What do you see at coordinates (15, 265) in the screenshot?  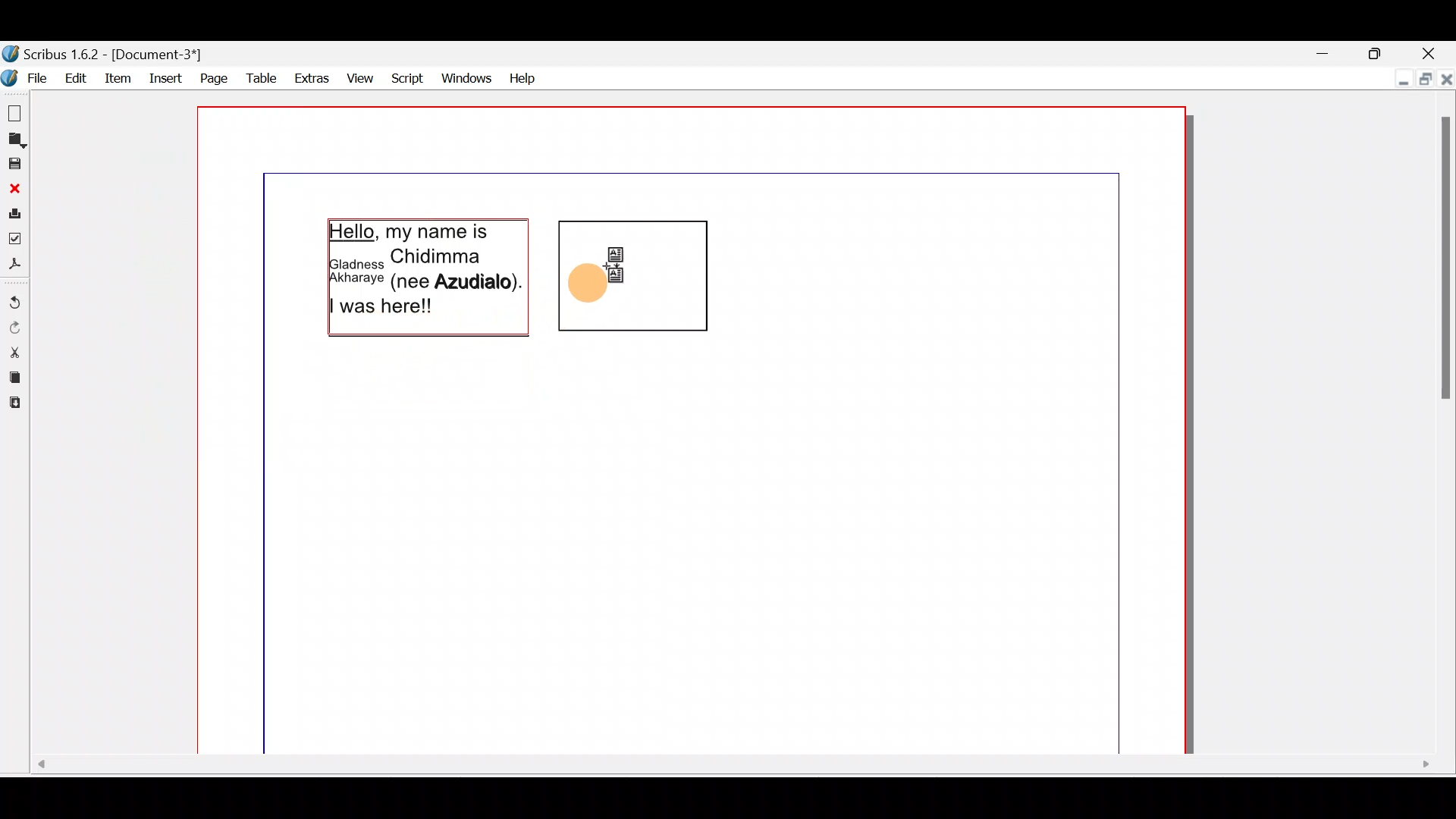 I see `Save as PDF` at bounding box center [15, 265].